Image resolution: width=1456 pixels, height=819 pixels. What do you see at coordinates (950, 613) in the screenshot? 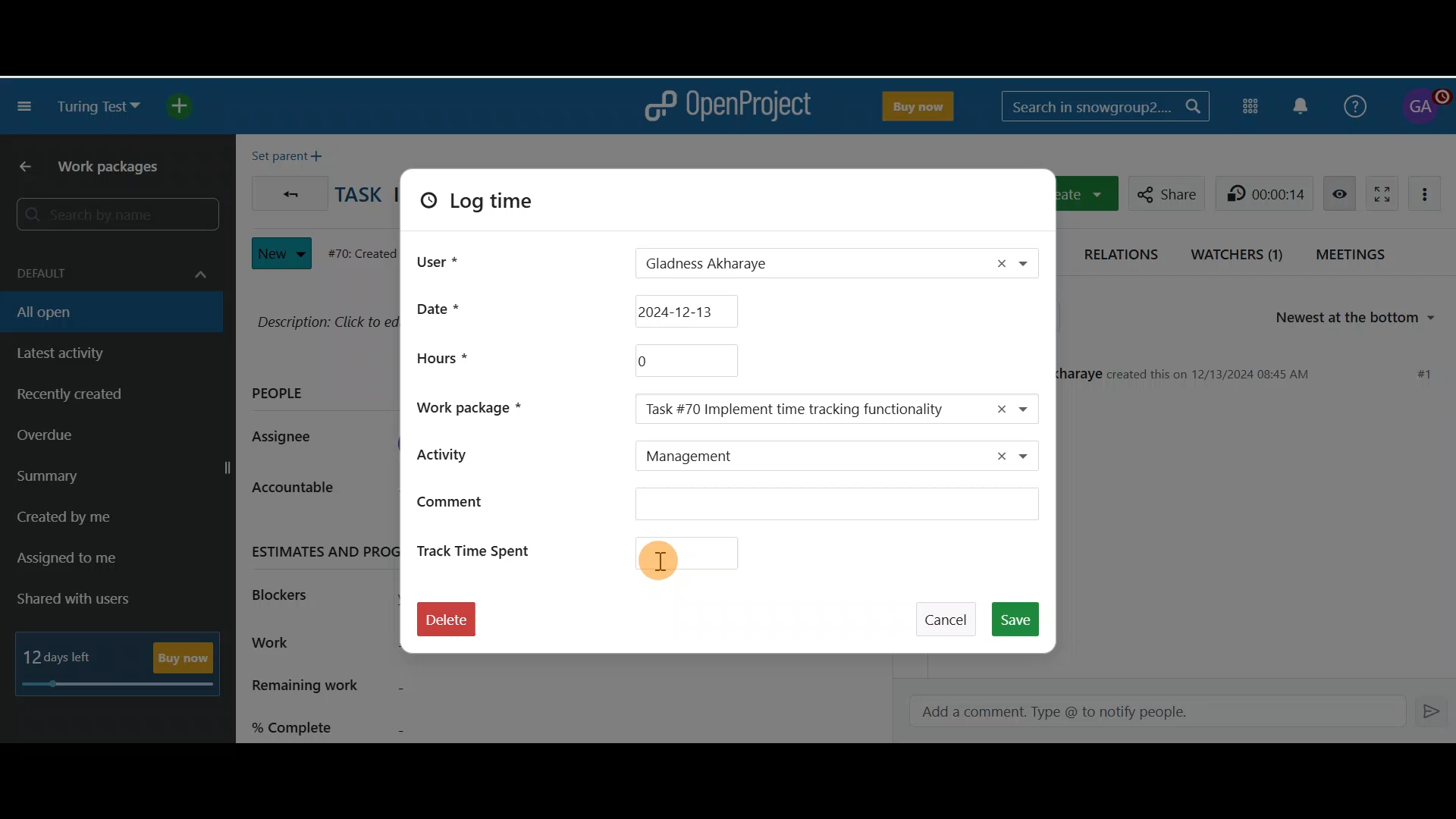
I see `Cancel` at bounding box center [950, 613].